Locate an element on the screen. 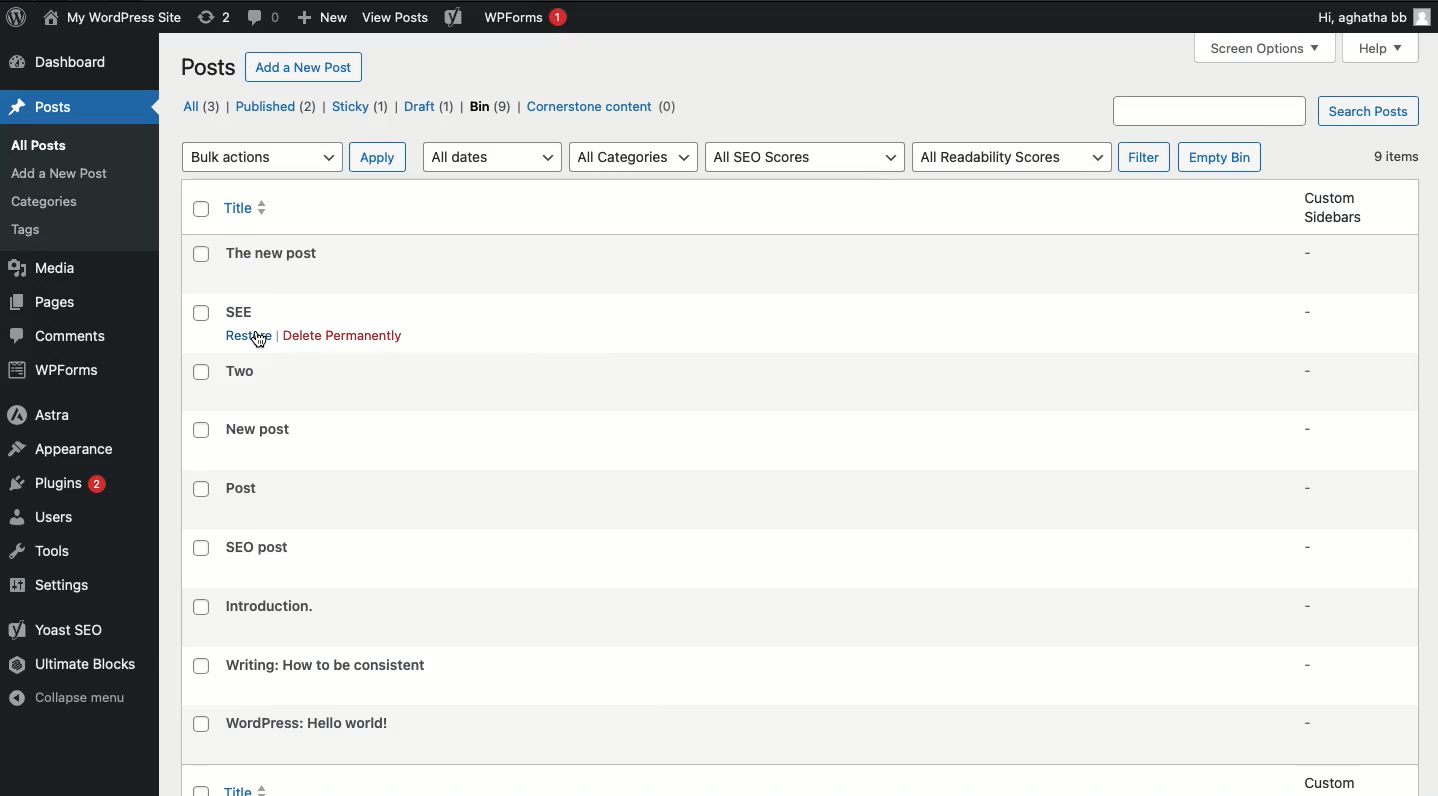  view posts is located at coordinates (412, 17).